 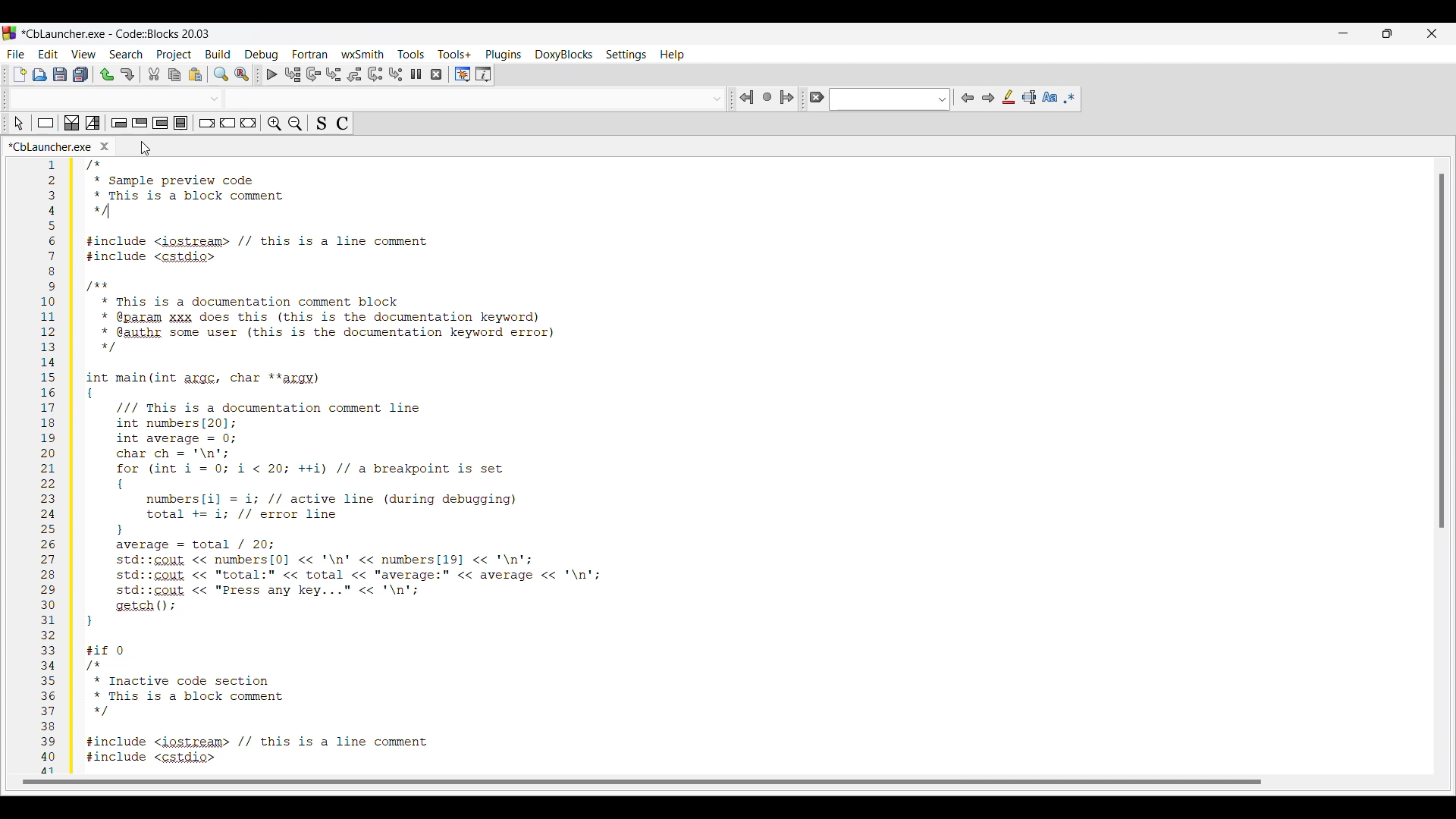 What do you see at coordinates (293, 74) in the screenshot?
I see `Run to cursor` at bounding box center [293, 74].